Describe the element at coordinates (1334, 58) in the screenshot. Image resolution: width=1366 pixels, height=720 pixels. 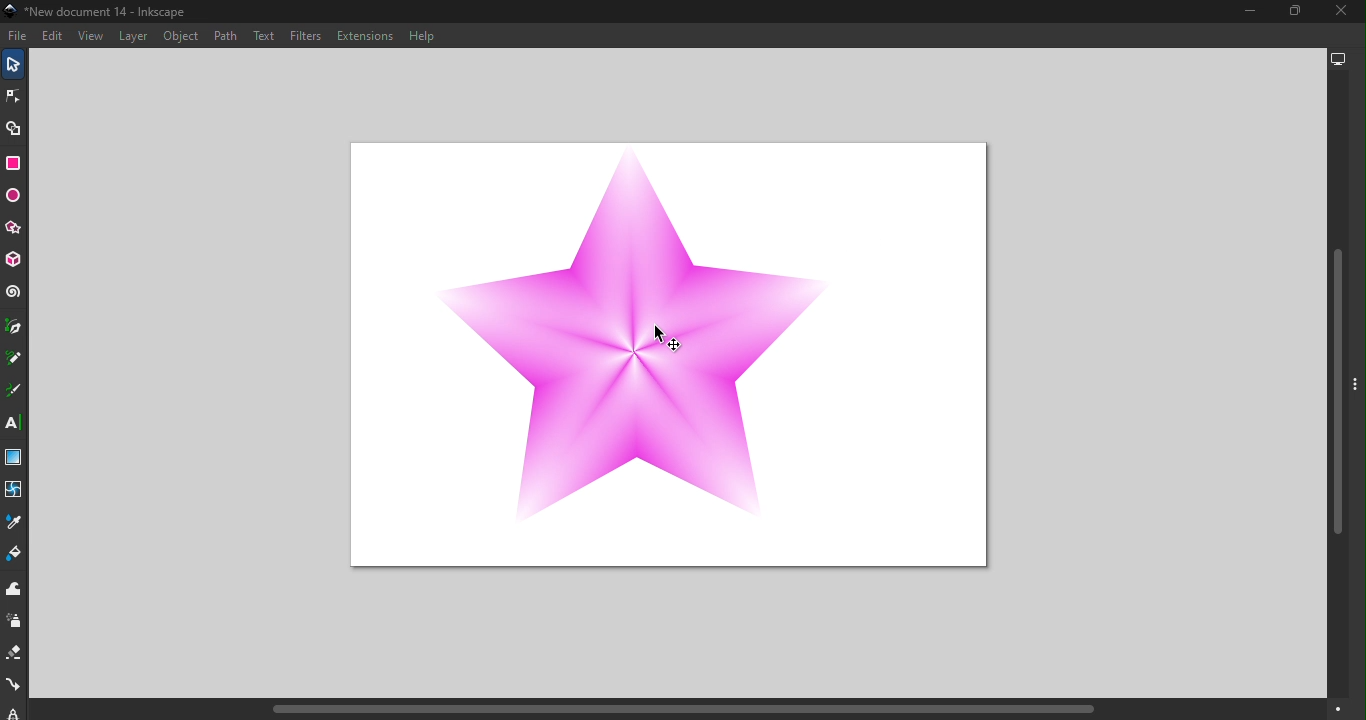
I see `Display options` at that location.